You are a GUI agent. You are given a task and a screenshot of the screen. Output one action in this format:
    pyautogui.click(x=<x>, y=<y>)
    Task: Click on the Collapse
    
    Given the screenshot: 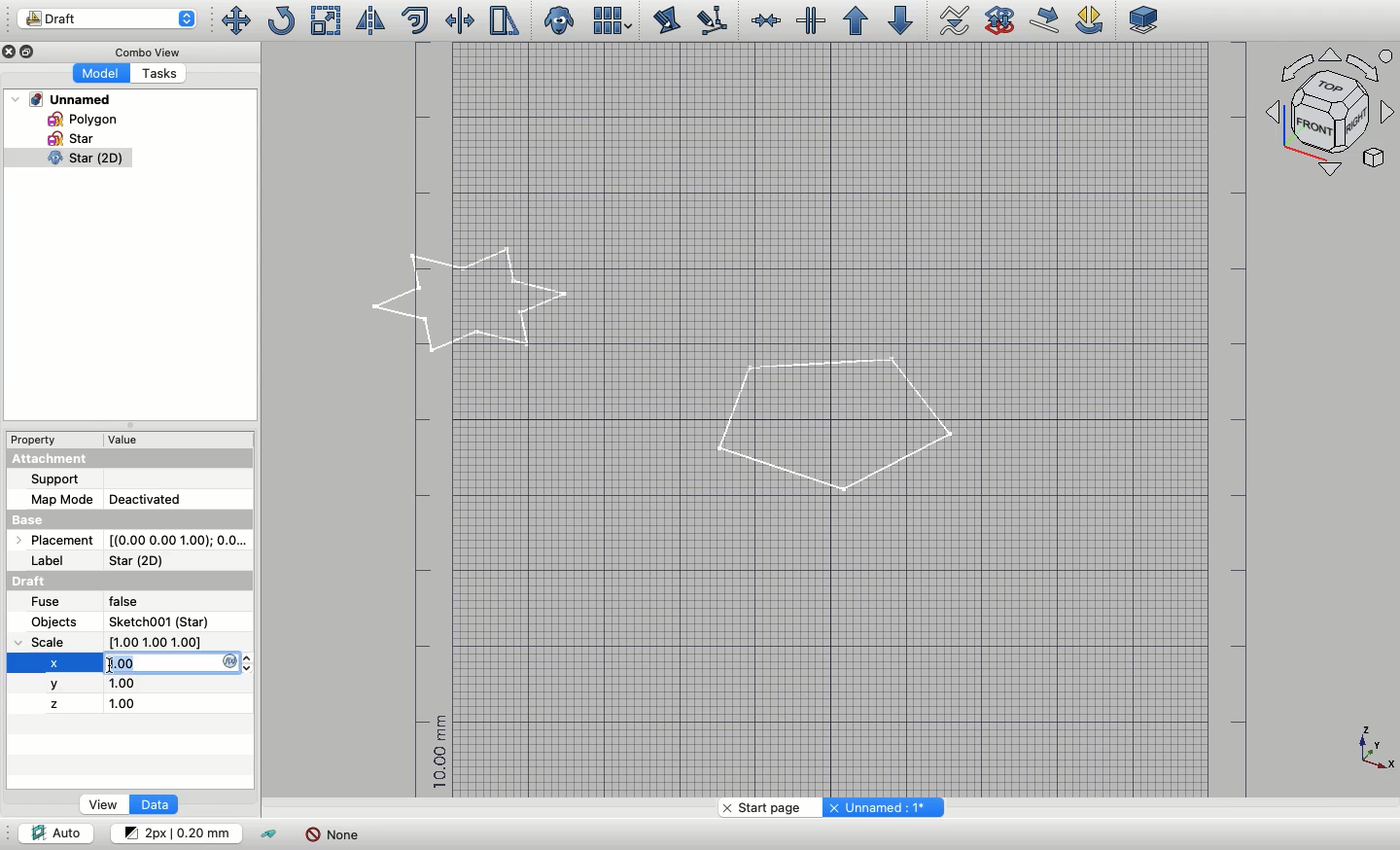 What is the action you would take?
    pyautogui.click(x=128, y=425)
    